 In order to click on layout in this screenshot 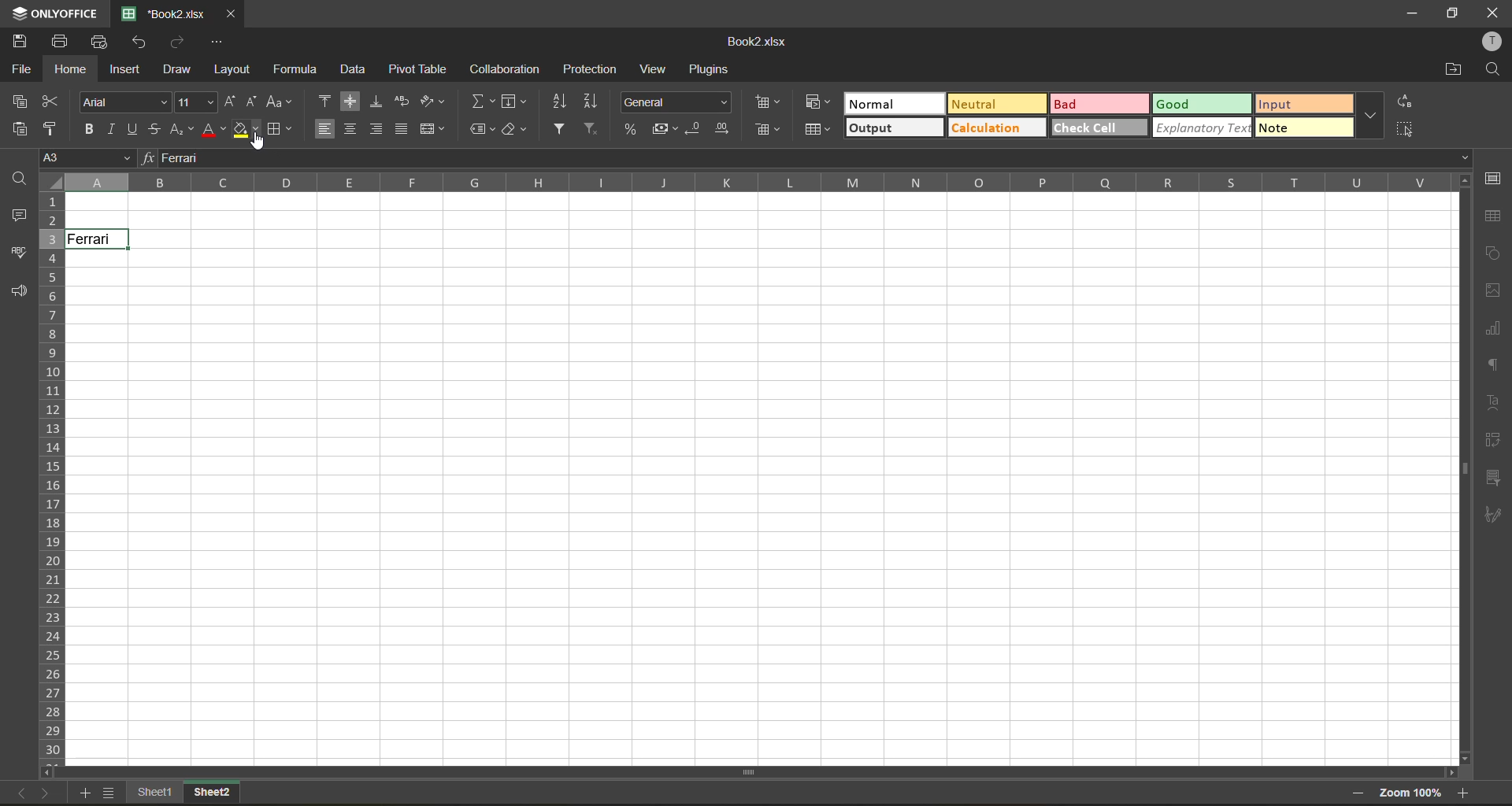, I will do `click(232, 69)`.